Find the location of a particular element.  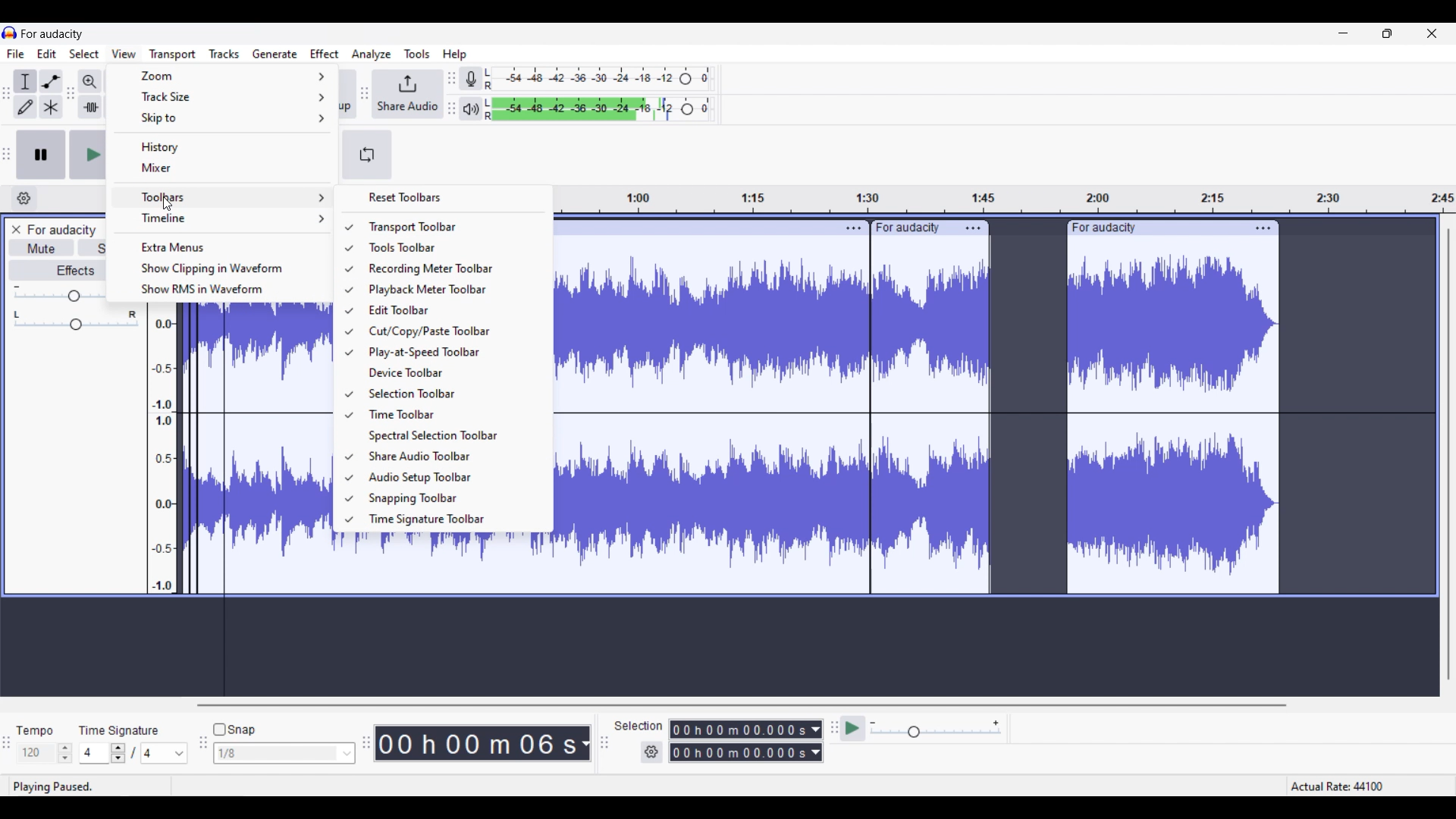

Time signature settings is located at coordinates (134, 752).